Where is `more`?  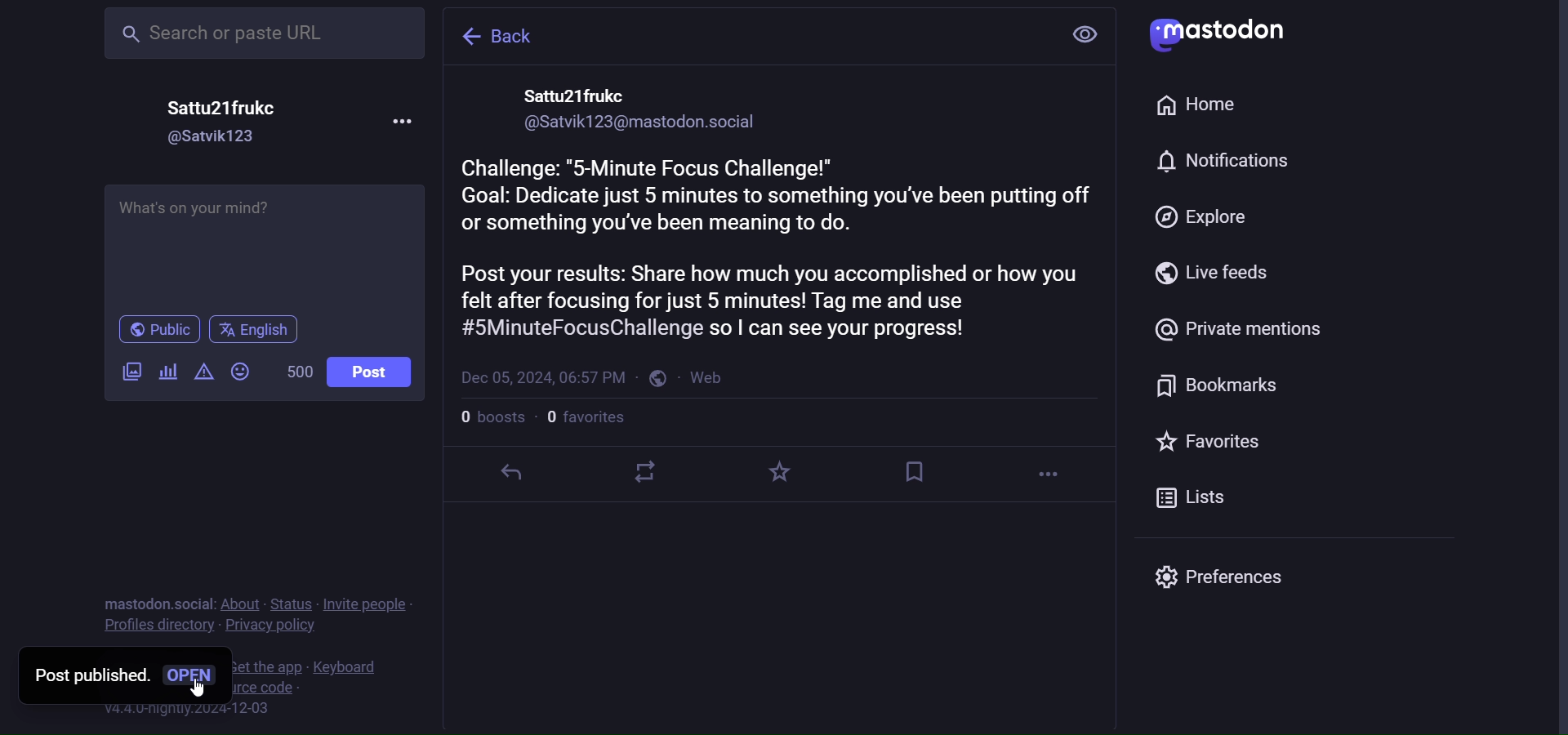
more is located at coordinates (411, 120).